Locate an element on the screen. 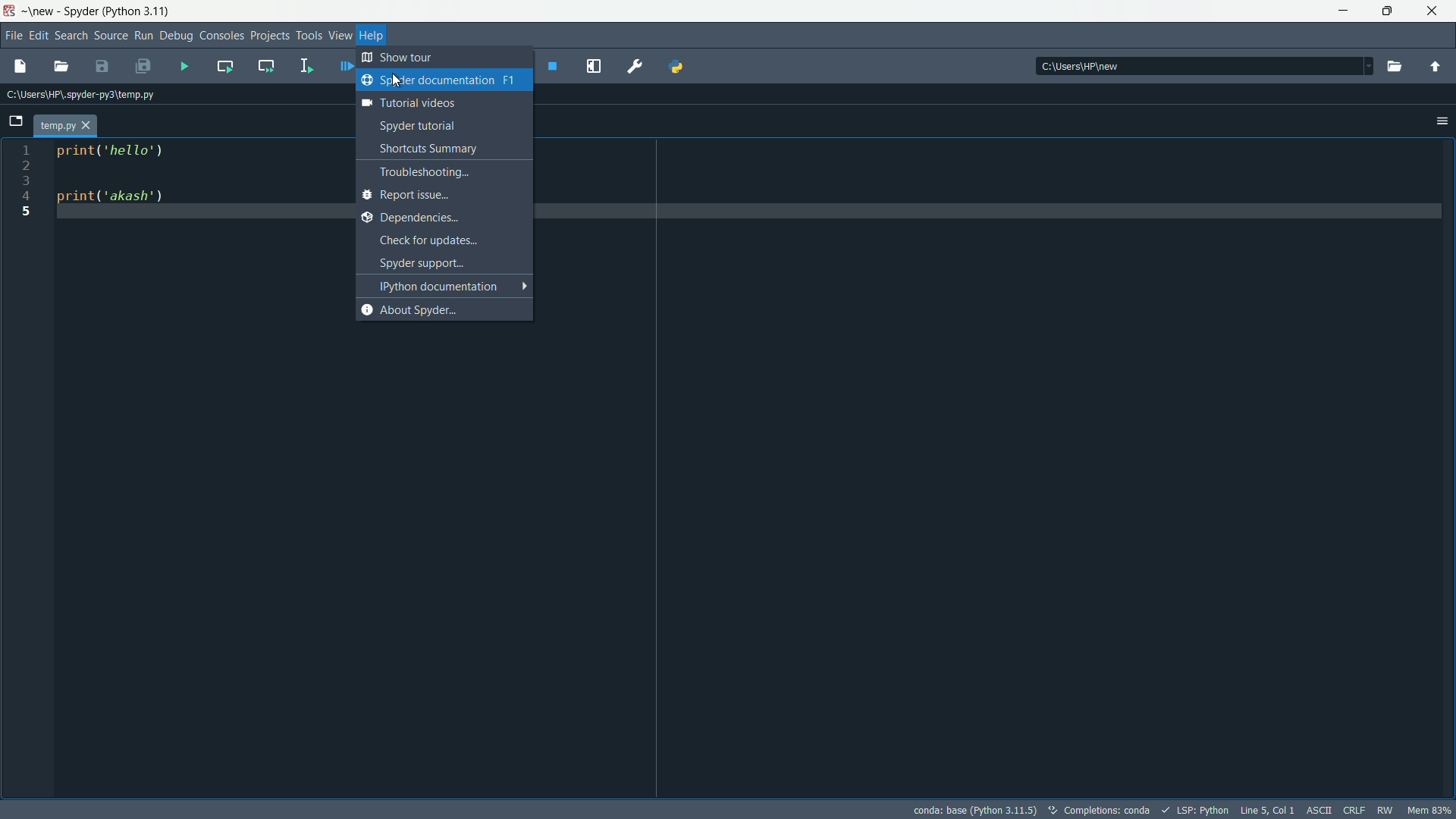  dependencies is located at coordinates (438, 217).